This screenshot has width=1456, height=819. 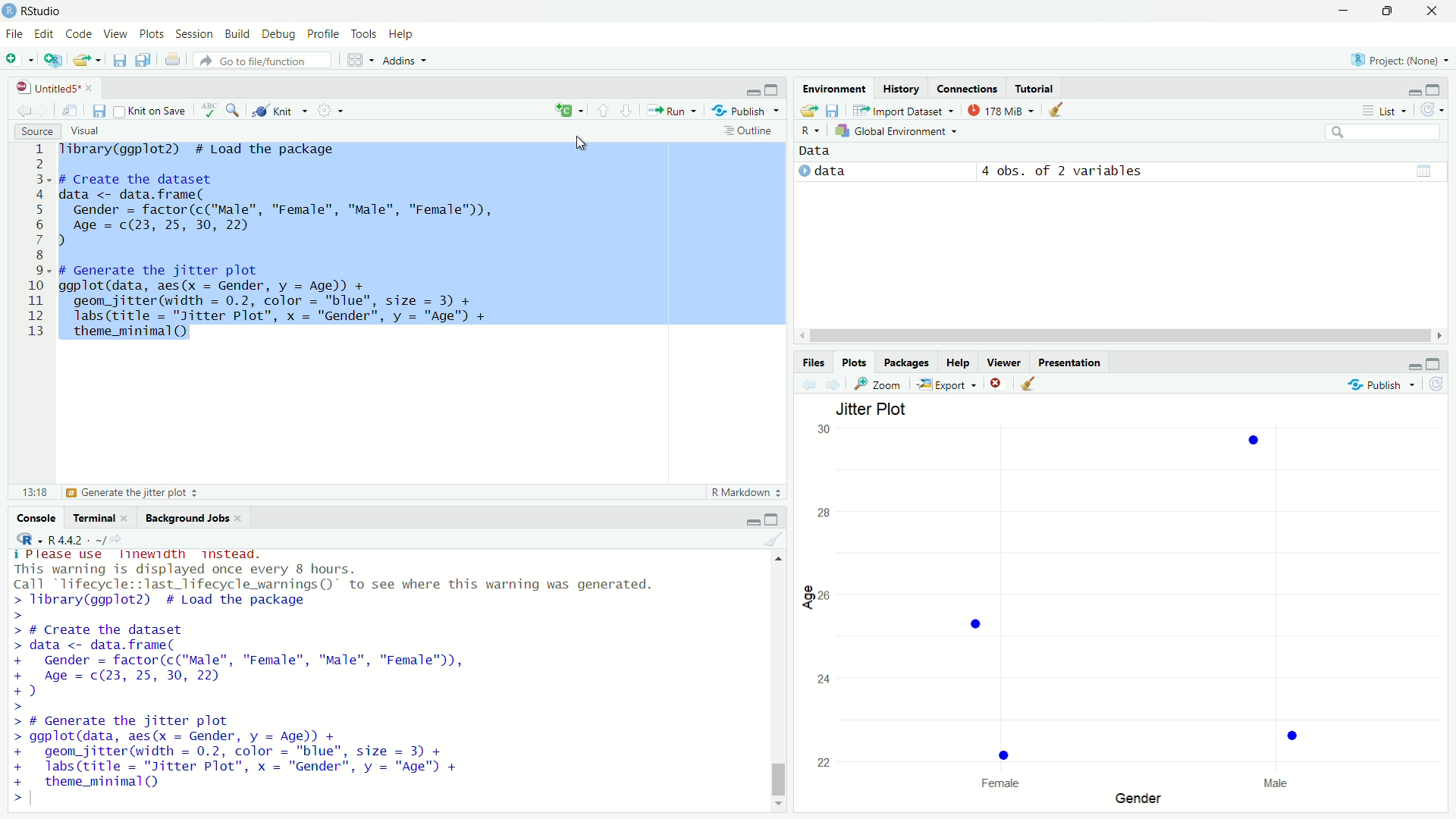 What do you see at coordinates (1386, 111) in the screenshot?
I see `list` at bounding box center [1386, 111].